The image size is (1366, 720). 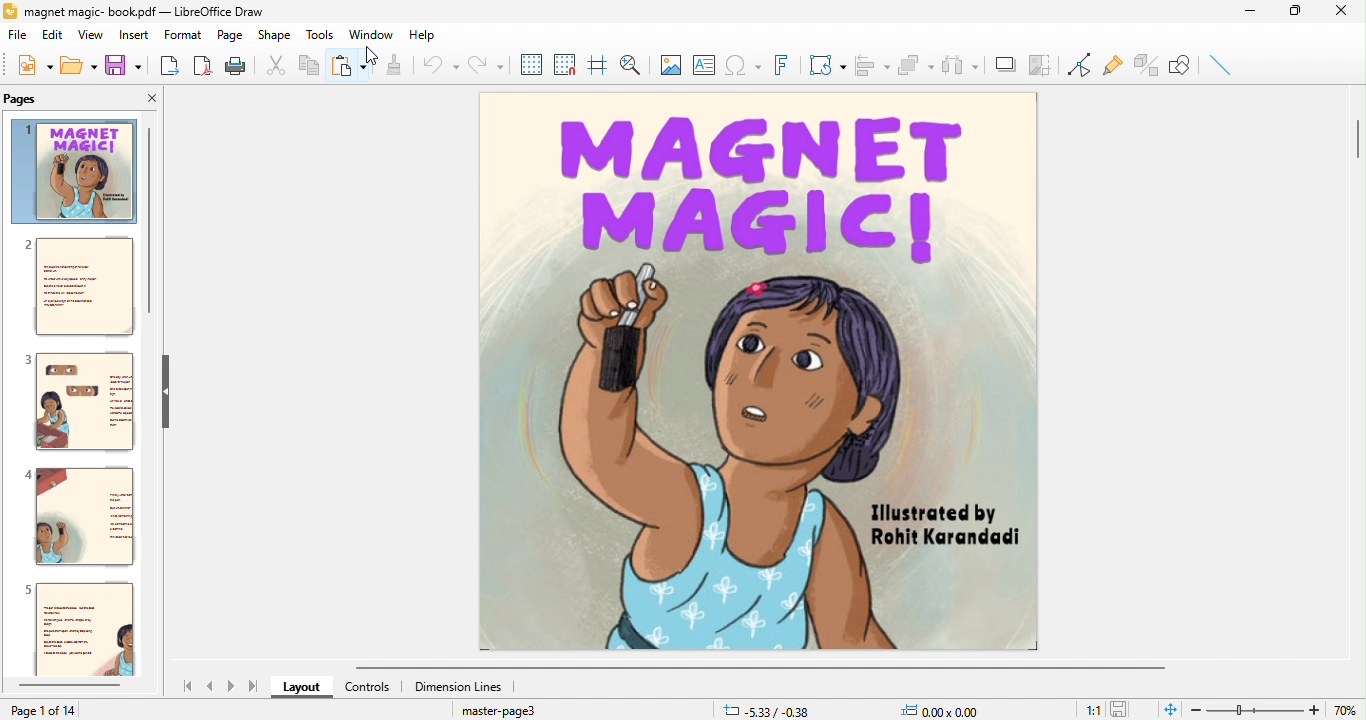 What do you see at coordinates (227, 37) in the screenshot?
I see `page` at bounding box center [227, 37].